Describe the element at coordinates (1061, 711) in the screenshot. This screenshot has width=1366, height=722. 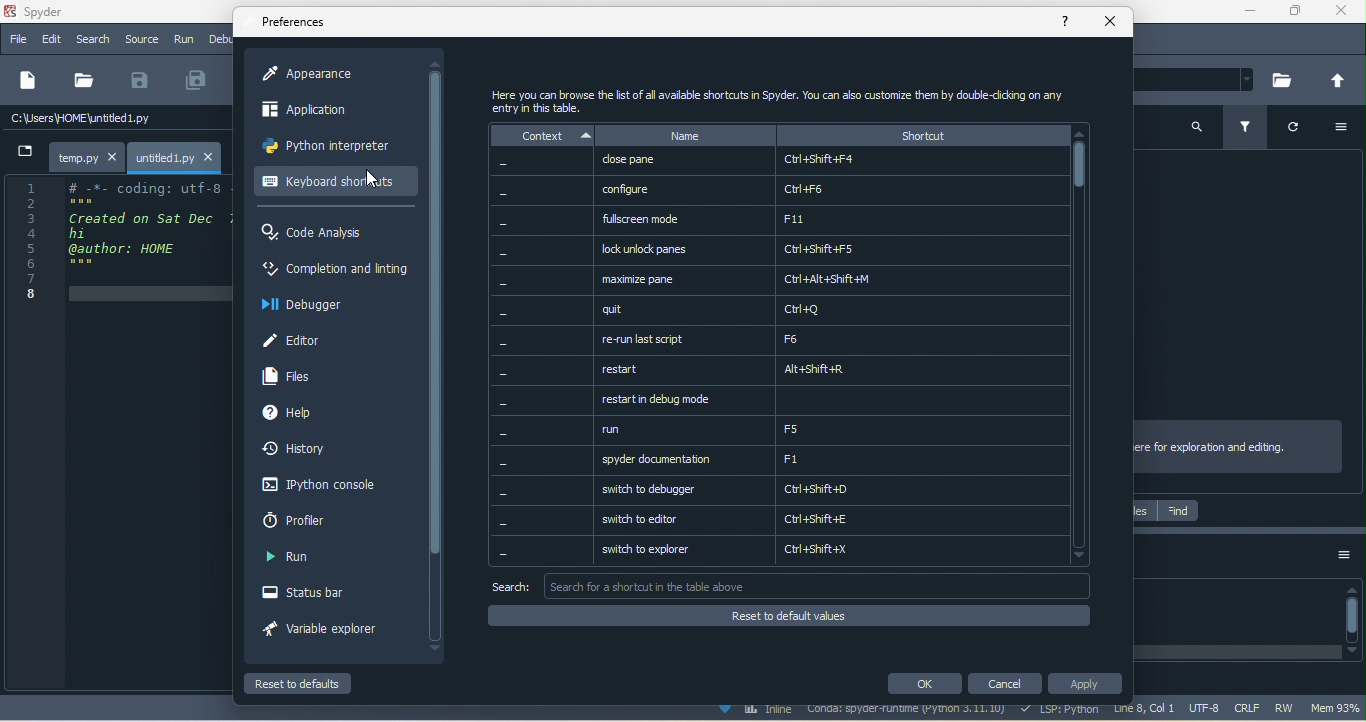
I see `lsp- python` at that location.